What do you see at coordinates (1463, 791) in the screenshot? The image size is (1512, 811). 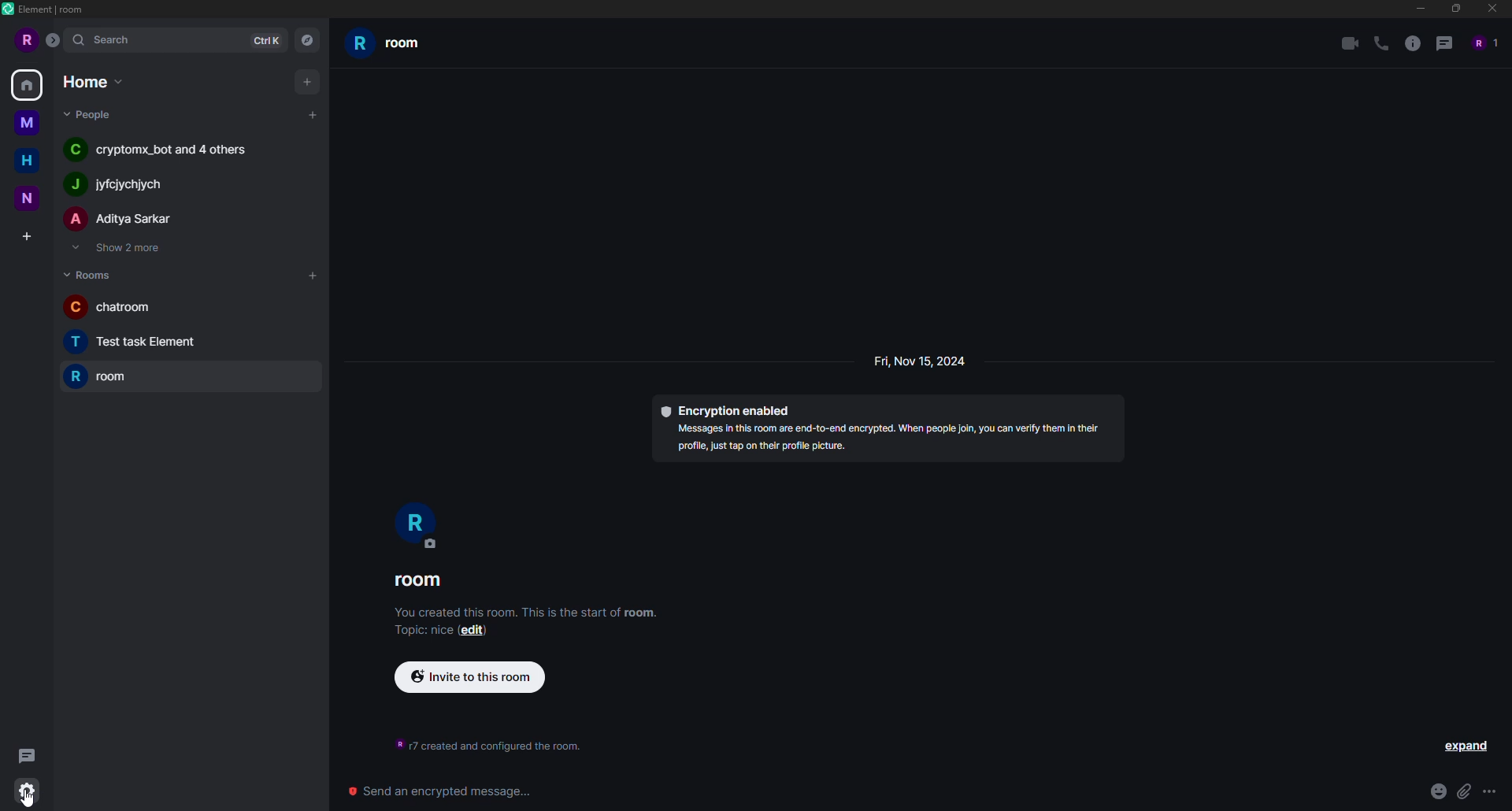 I see `attach` at bounding box center [1463, 791].